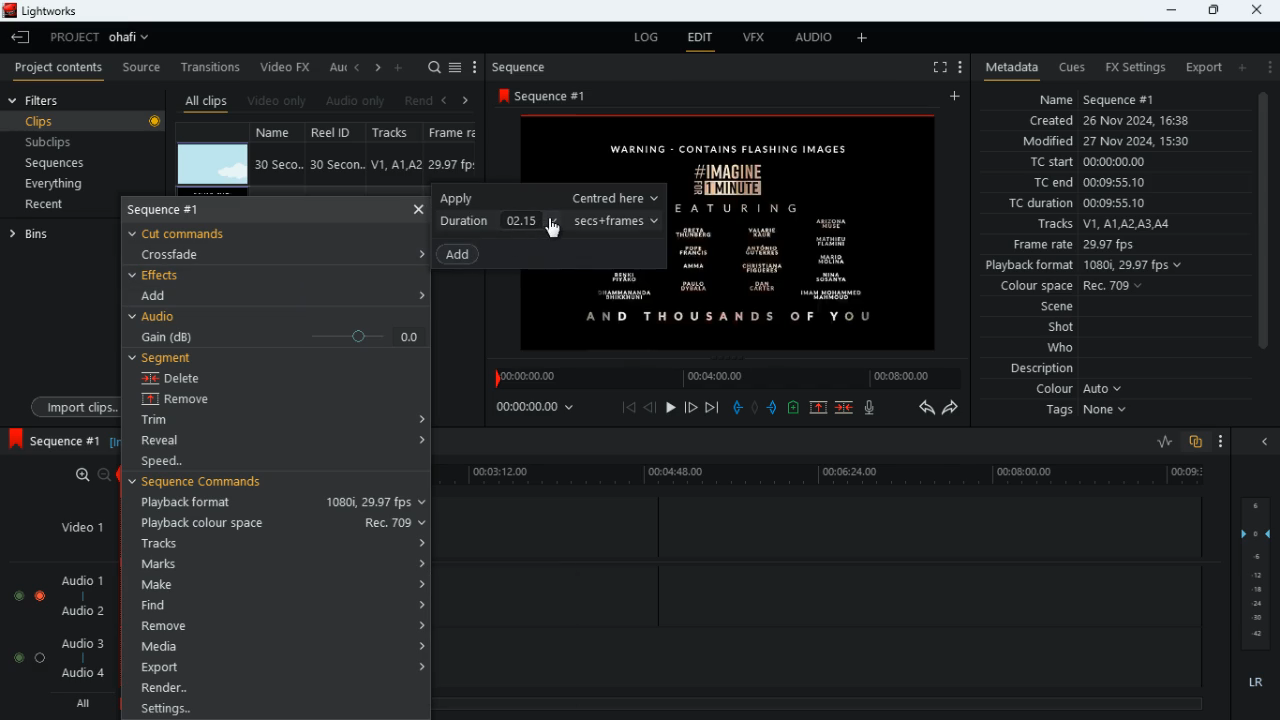  I want to click on list, so click(455, 68).